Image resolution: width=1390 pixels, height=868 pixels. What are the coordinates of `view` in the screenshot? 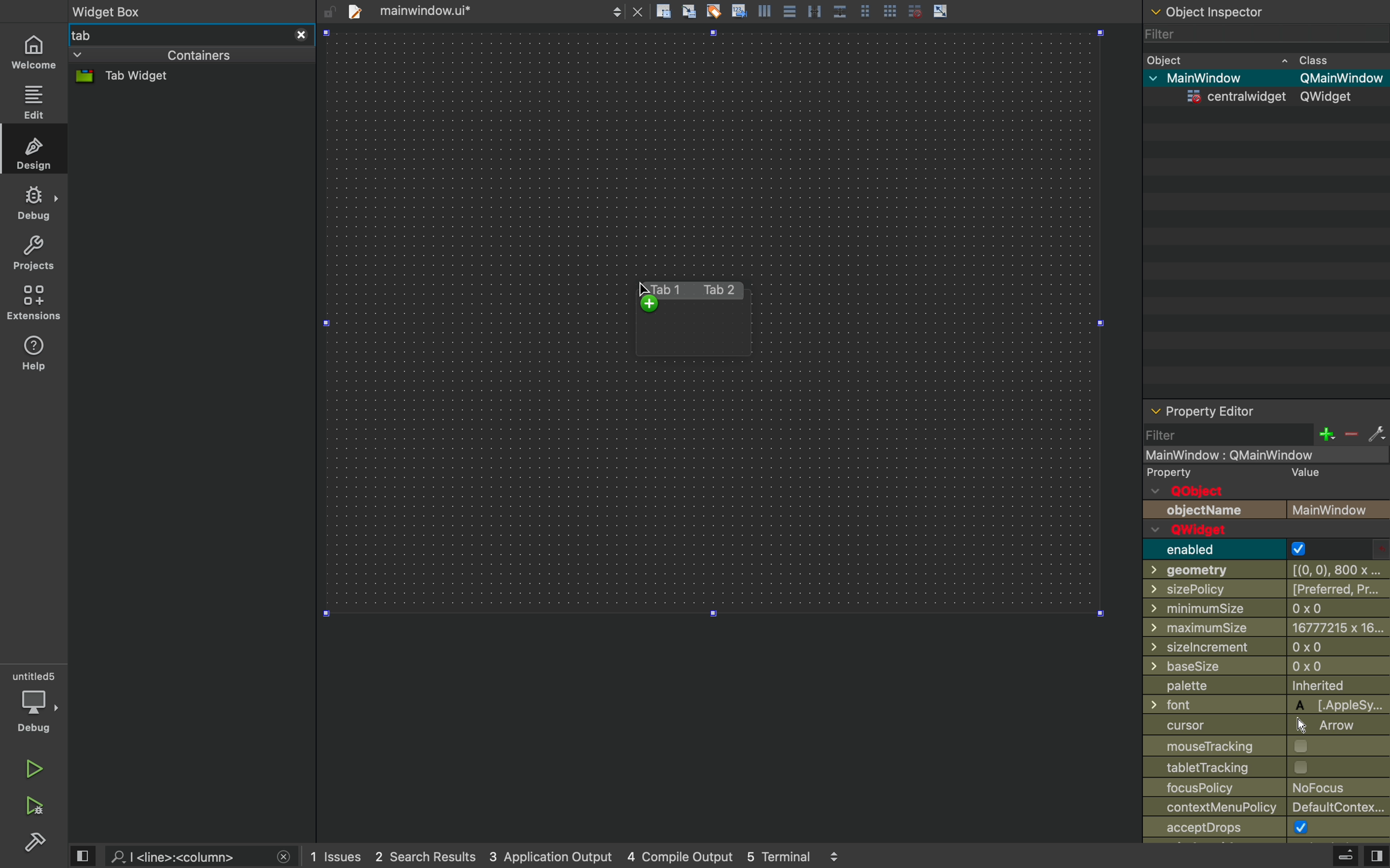 It's located at (82, 857).